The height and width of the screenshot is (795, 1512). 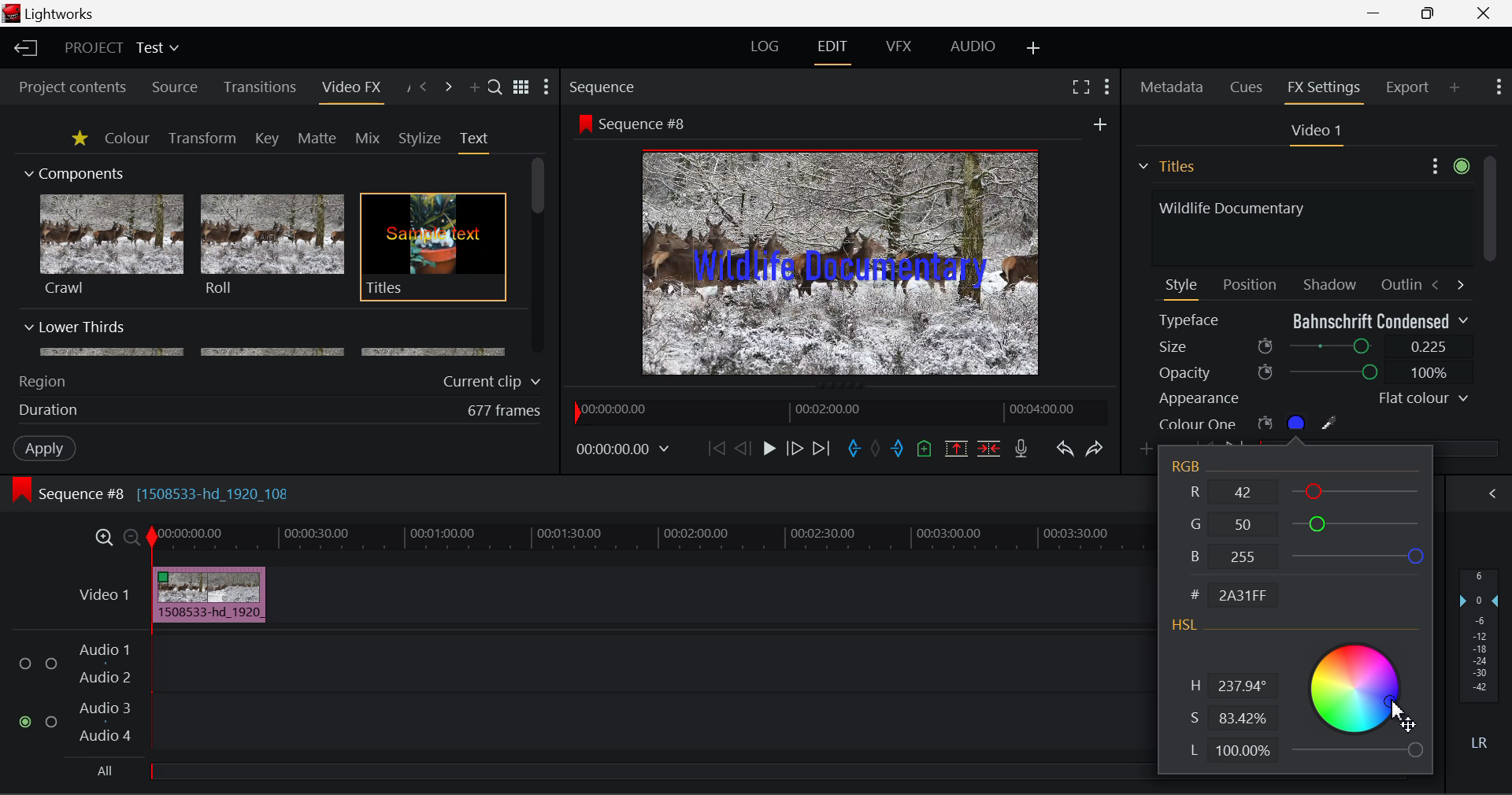 I want to click on Audio Input, so click(x=646, y=695).